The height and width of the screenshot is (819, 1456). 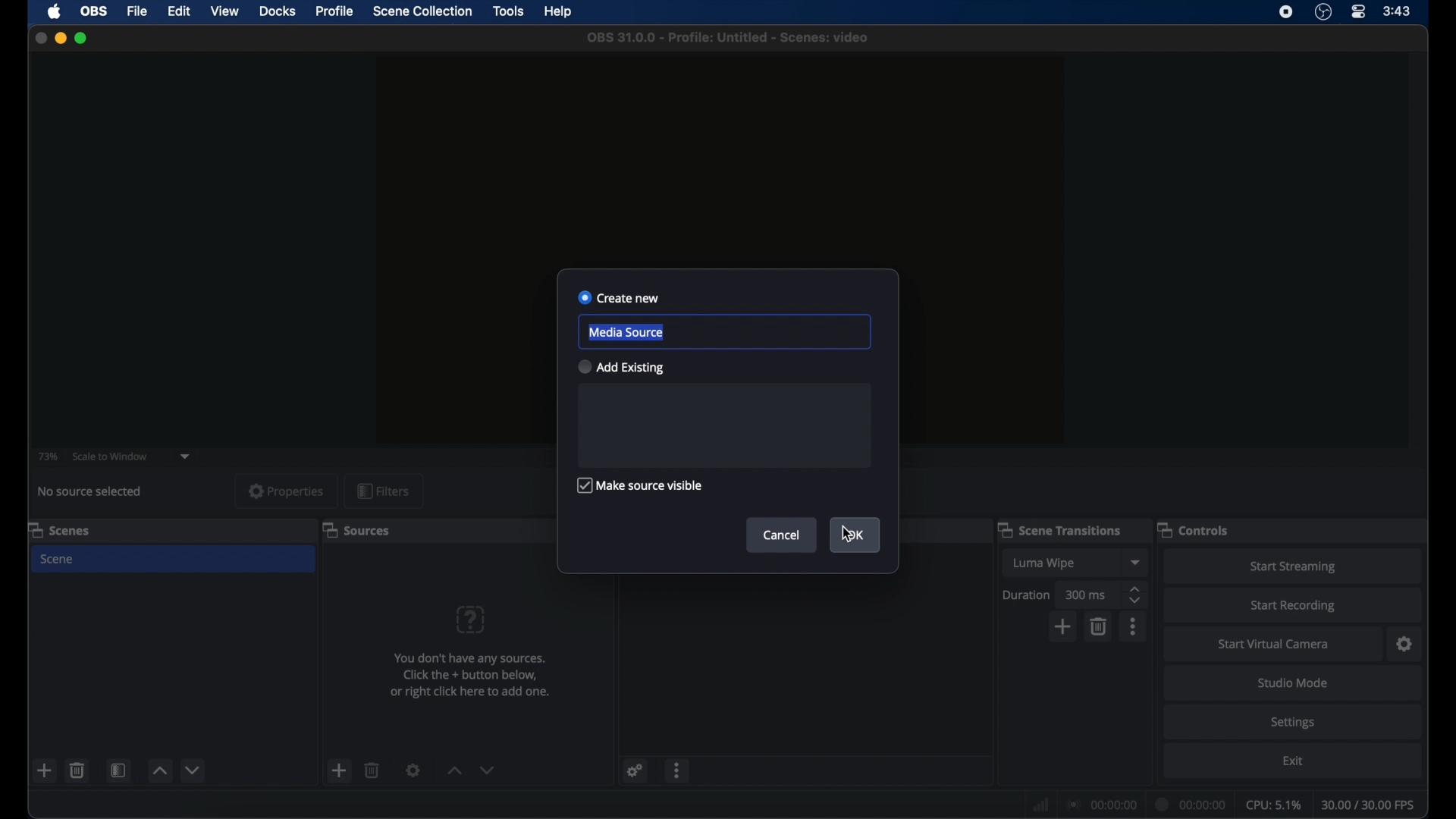 I want to click on file, so click(x=138, y=11).